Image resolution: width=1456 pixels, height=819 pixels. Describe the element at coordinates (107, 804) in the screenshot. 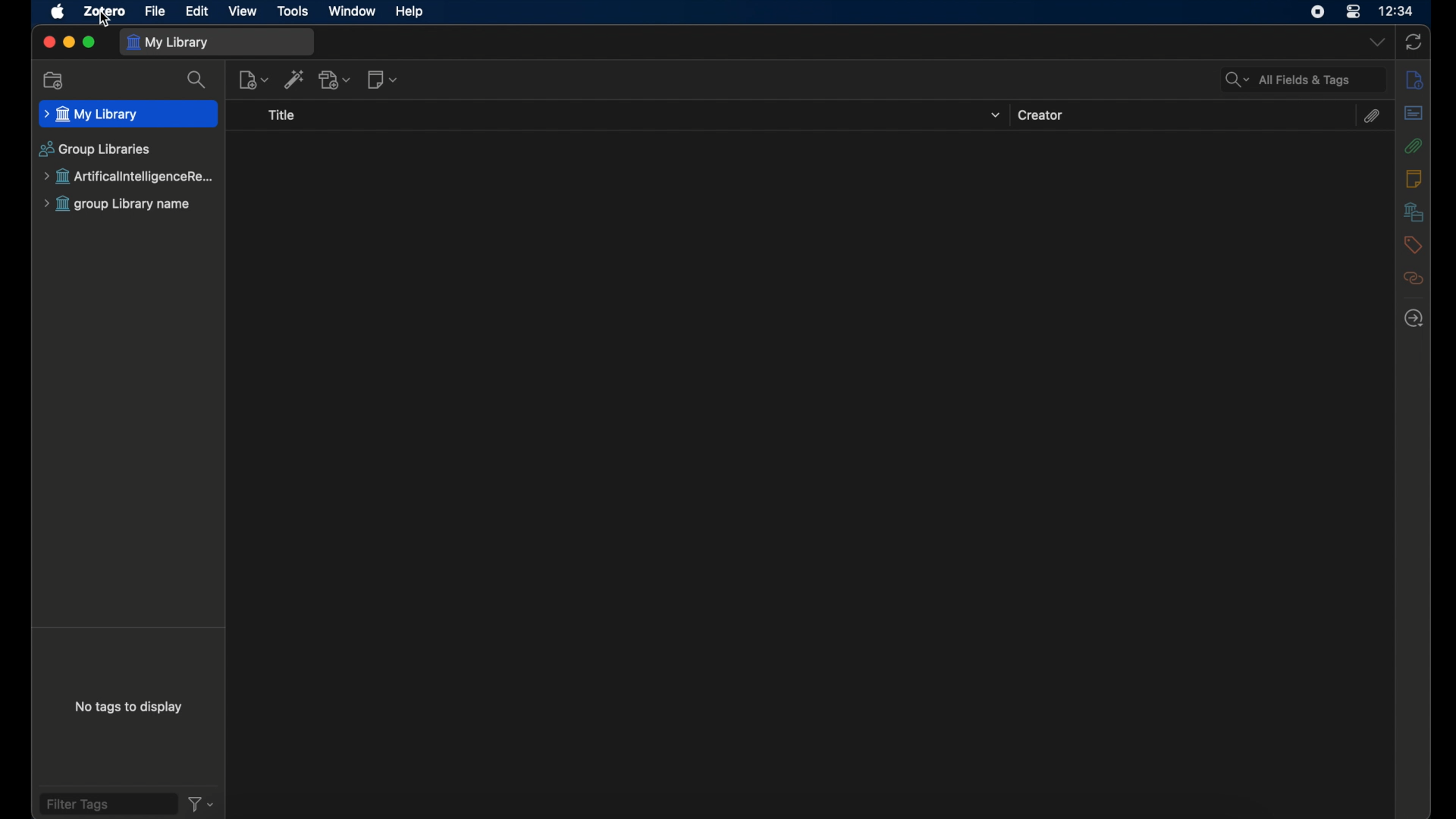

I see `filter tags` at that location.